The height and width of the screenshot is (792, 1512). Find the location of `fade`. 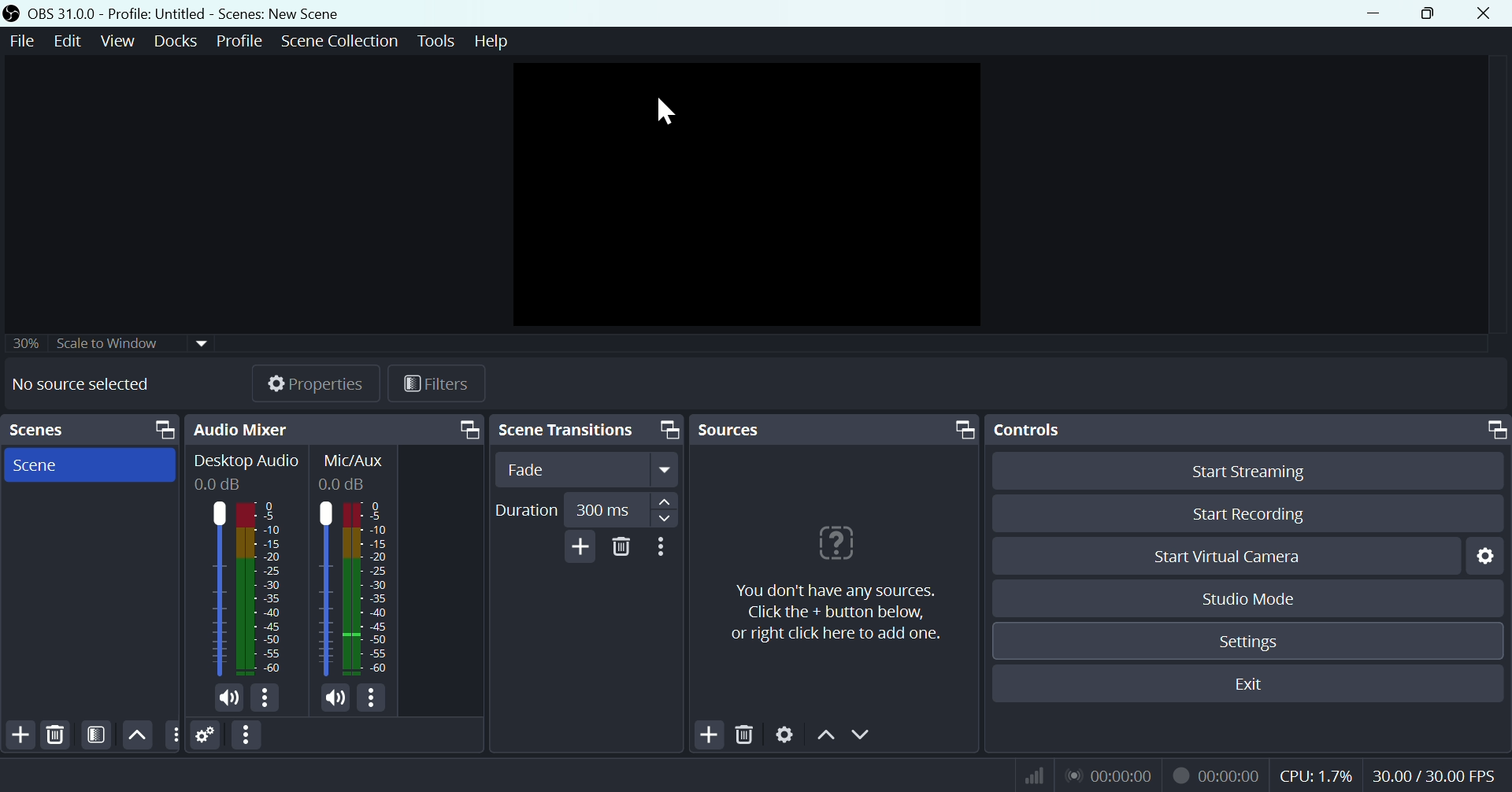

fade is located at coordinates (593, 468).